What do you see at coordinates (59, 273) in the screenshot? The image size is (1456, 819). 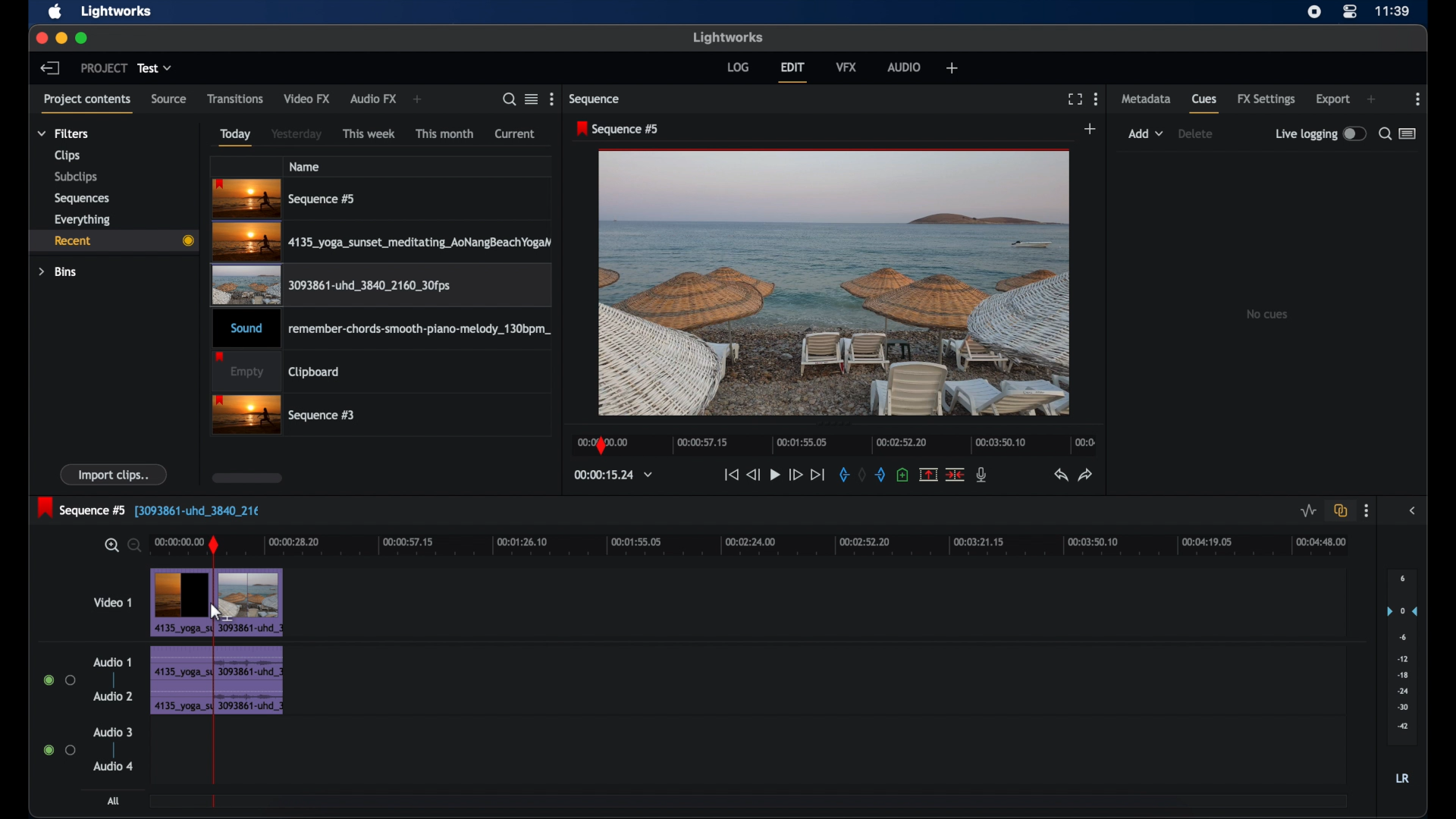 I see `bins` at bounding box center [59, 273].